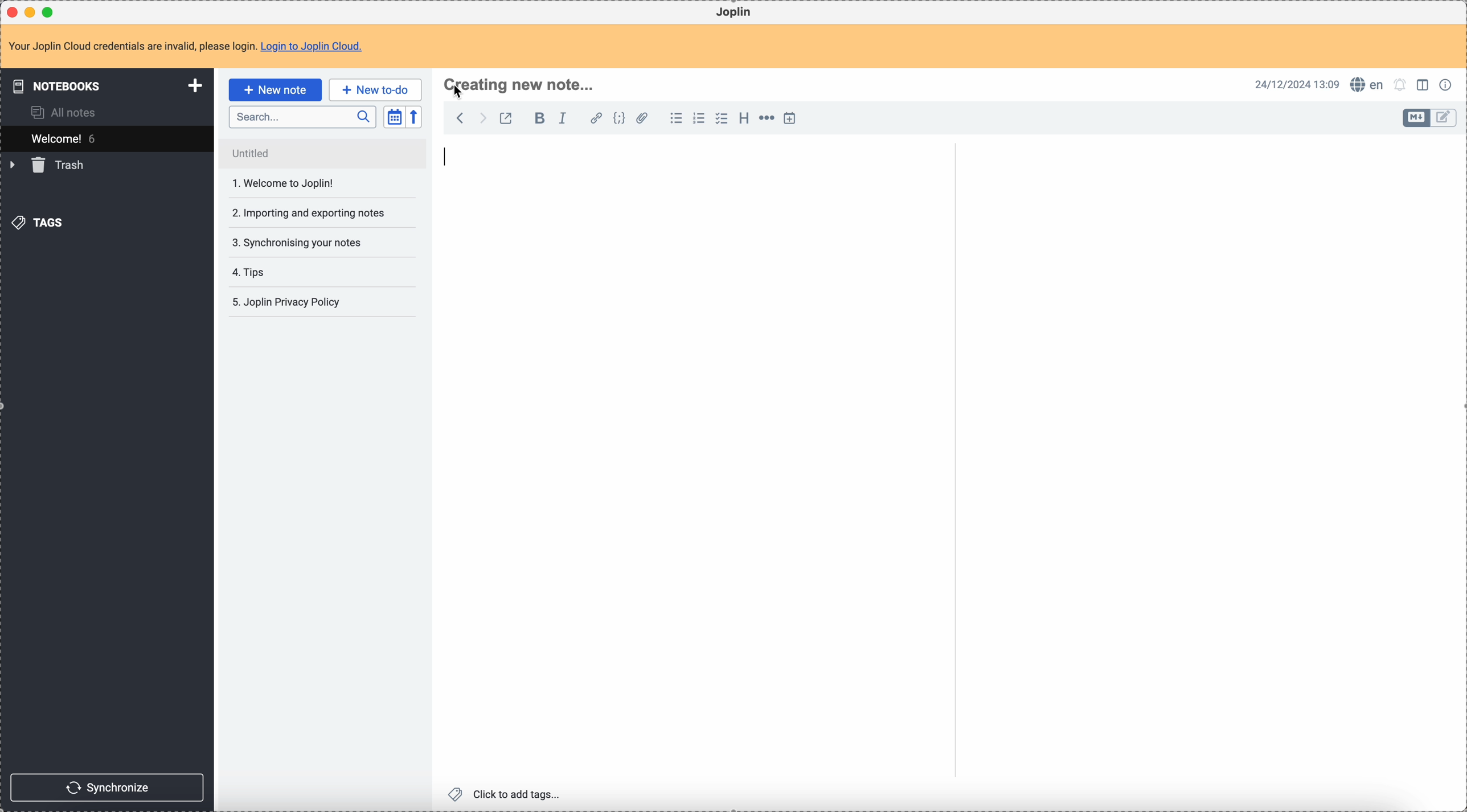 The image size is (1467, 812). What do you see at coordinates (481, 118) in the screenshot?
I see `foward` at bounding box center [481, 118].